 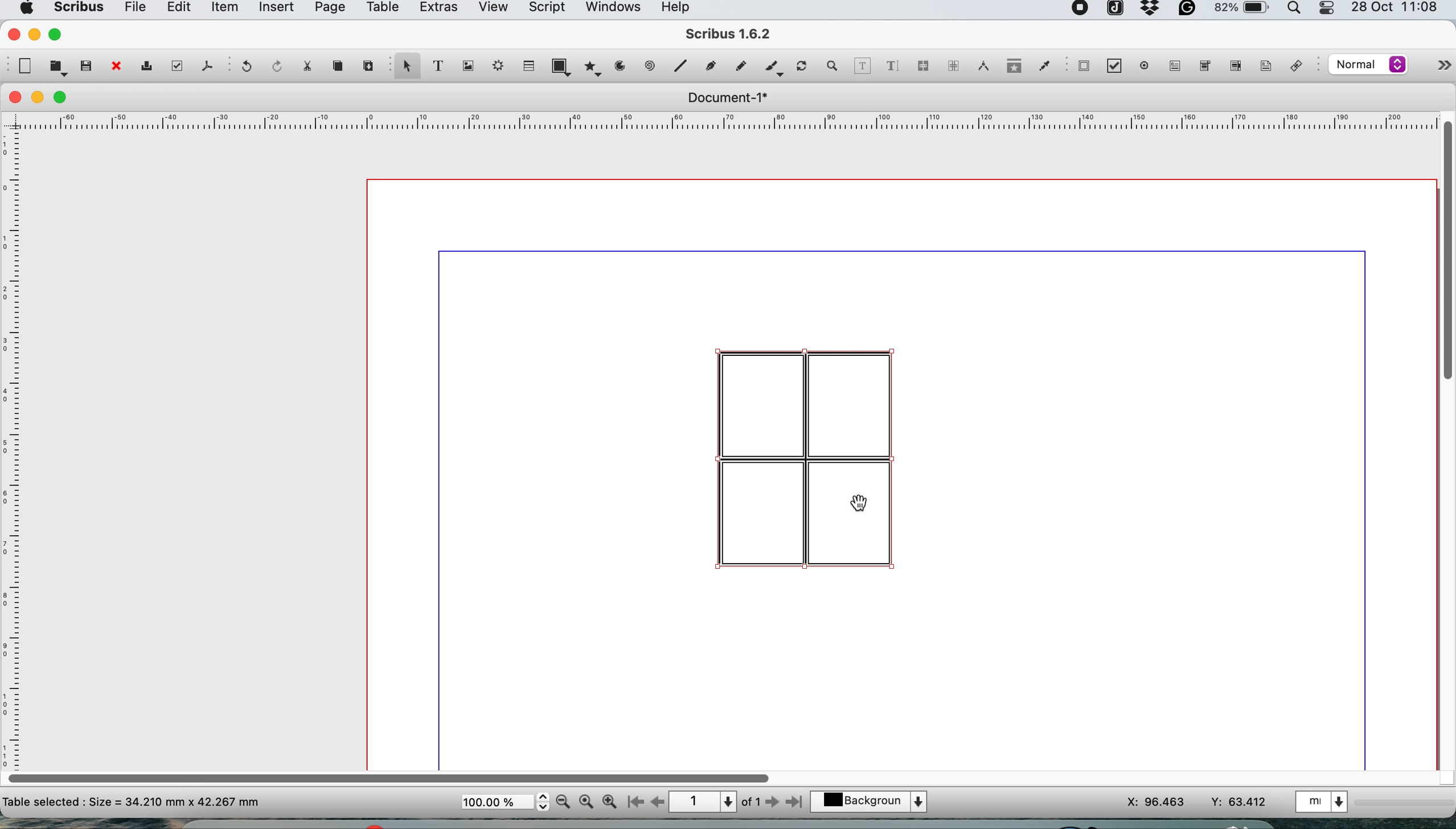 I want to click on bezier curve, so click(x=709, y=68).